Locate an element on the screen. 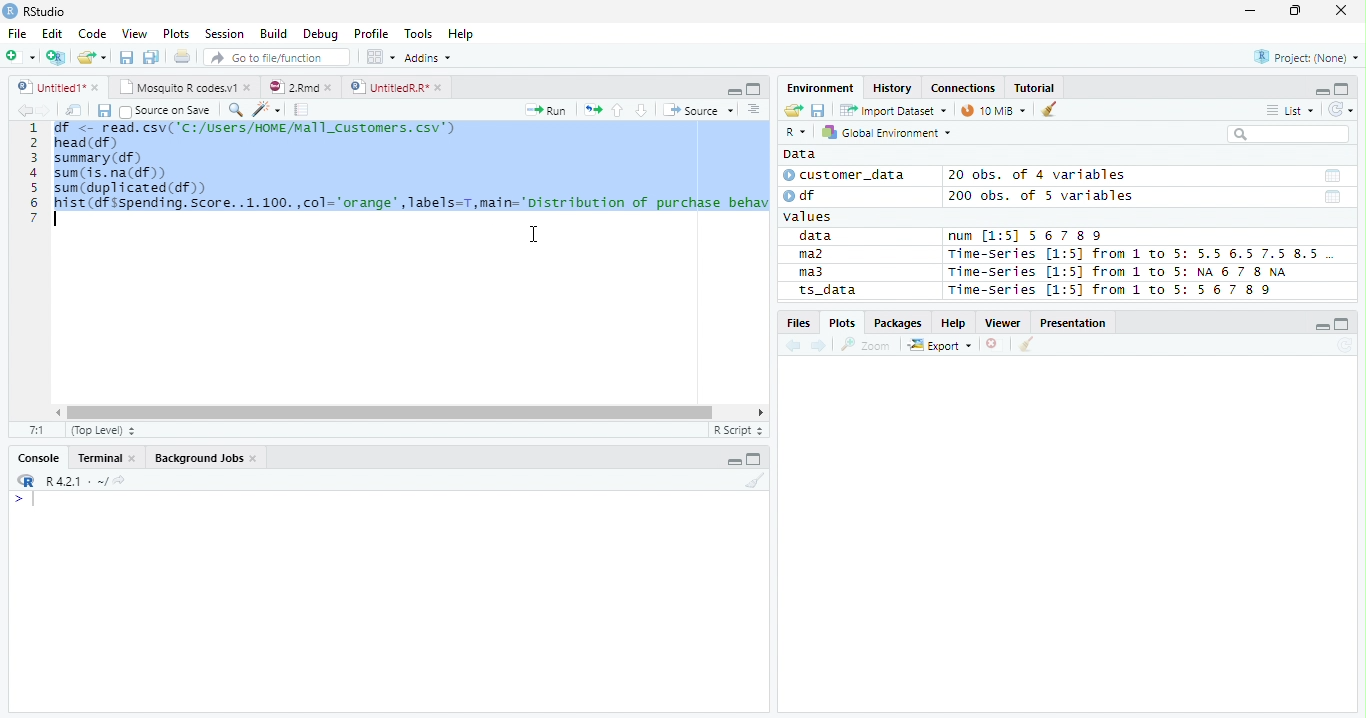 Image resolution: width=1366 pixels, height=718 pixels. Time-Series [1:5] from 1 to 5: 5.5 6.5 7.5 8.5 is located at coordinates (1137, 255).